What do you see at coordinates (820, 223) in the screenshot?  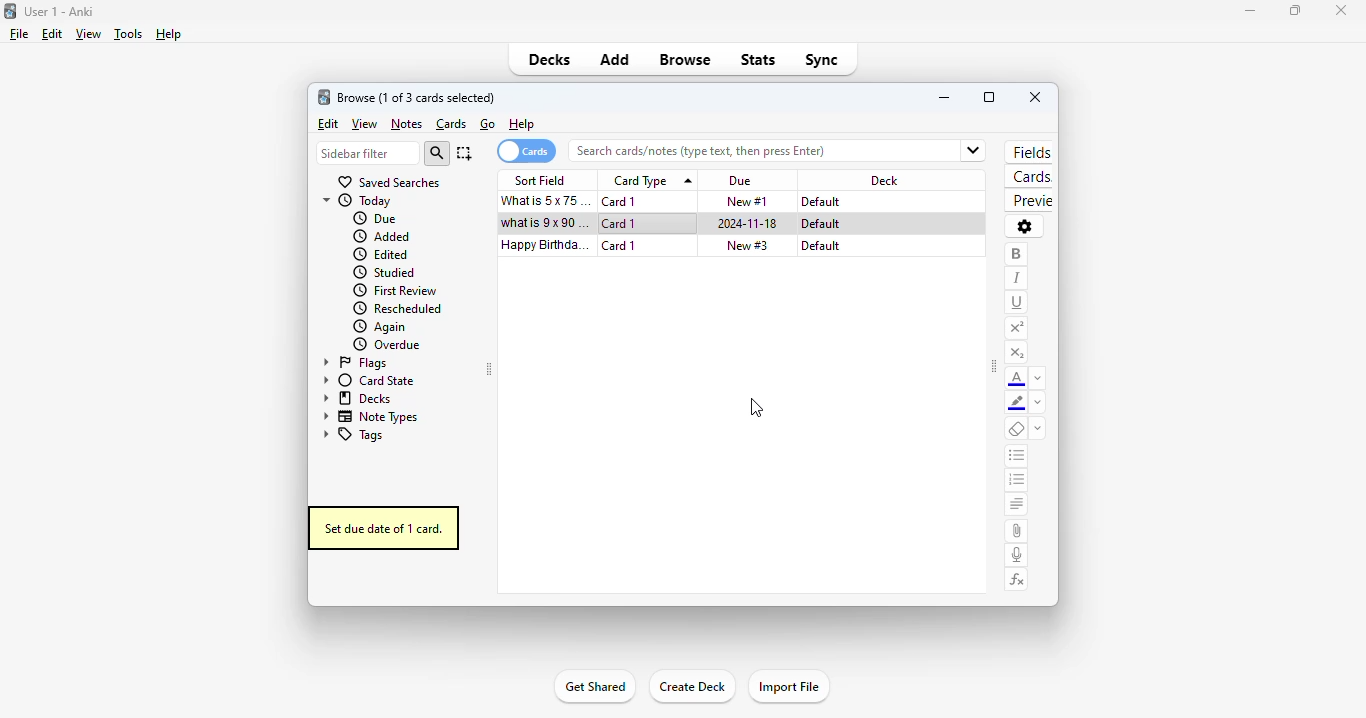 I see `default` at bounding box center [820, 223].